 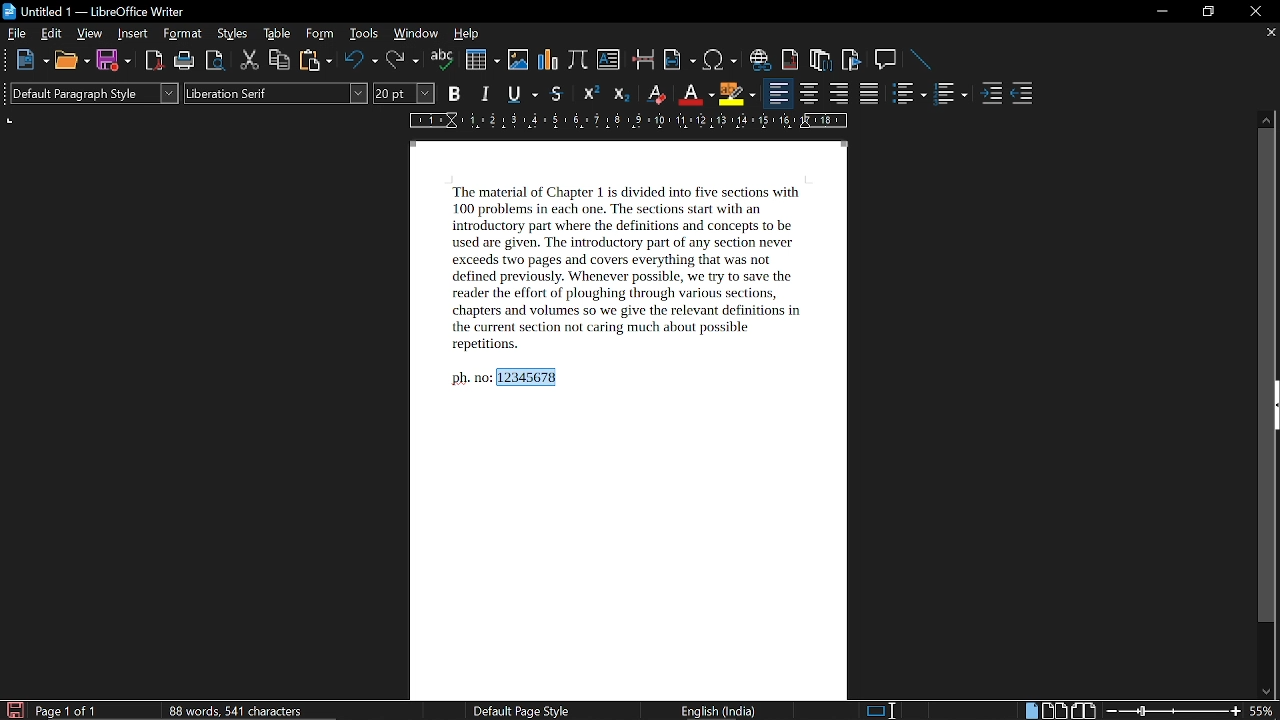 I want to click on insert symbol, so click(x=718, y=60).